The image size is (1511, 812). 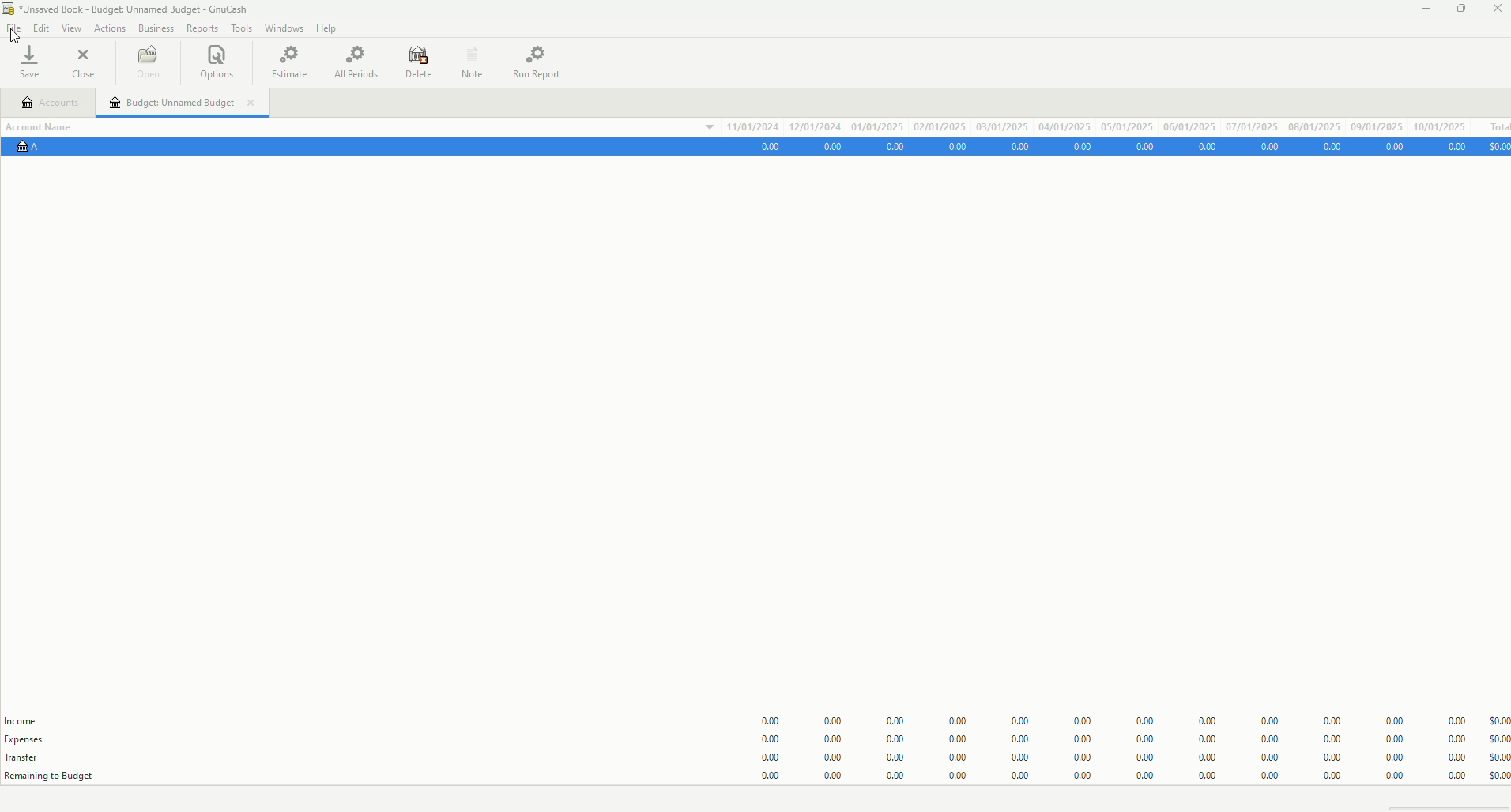 I want to click on Run Report, so click(x=542, y=59).